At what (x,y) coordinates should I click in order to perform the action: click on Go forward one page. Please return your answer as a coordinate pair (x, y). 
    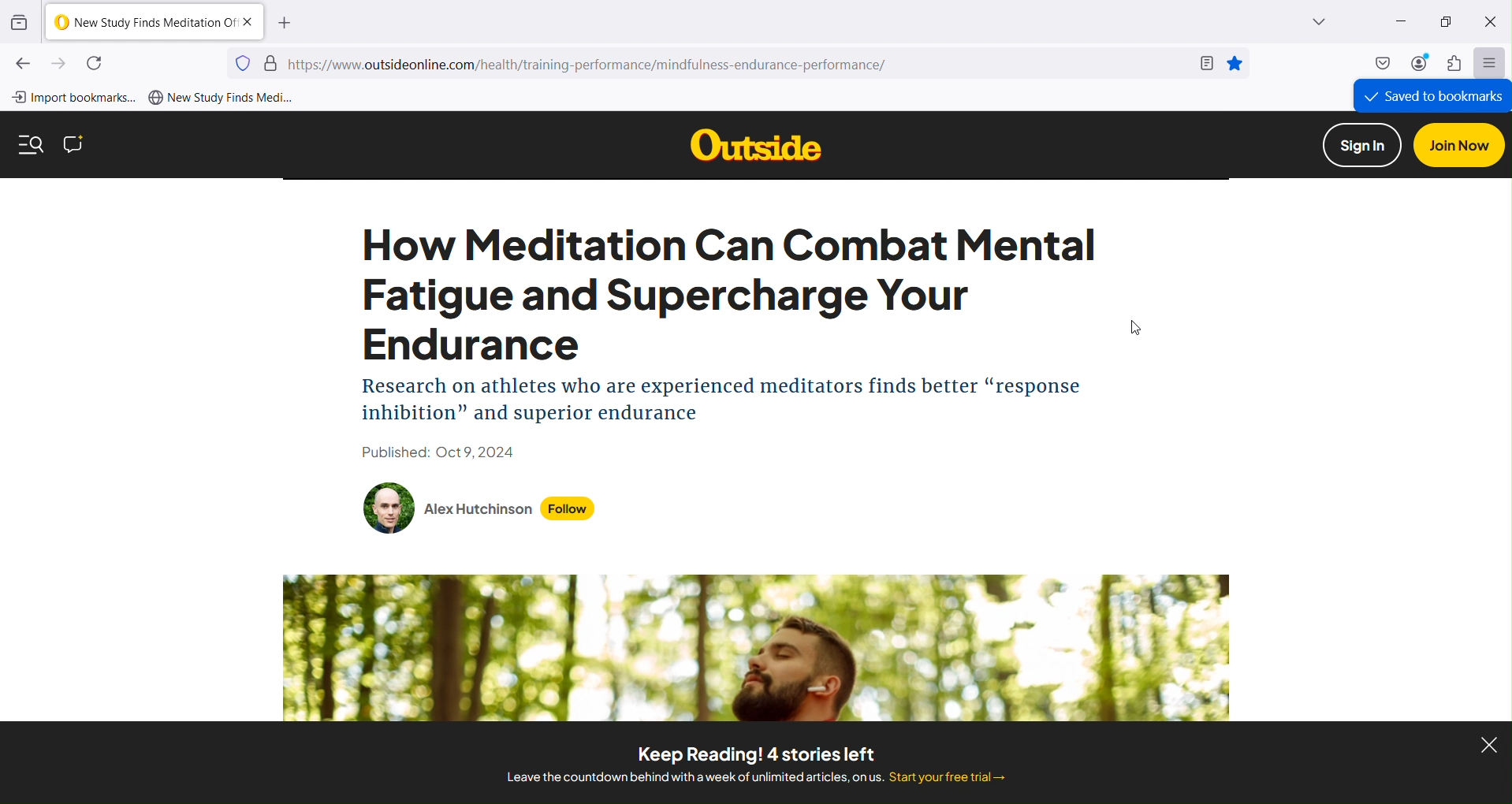
    Looking at the image, I should click on (59, 65).